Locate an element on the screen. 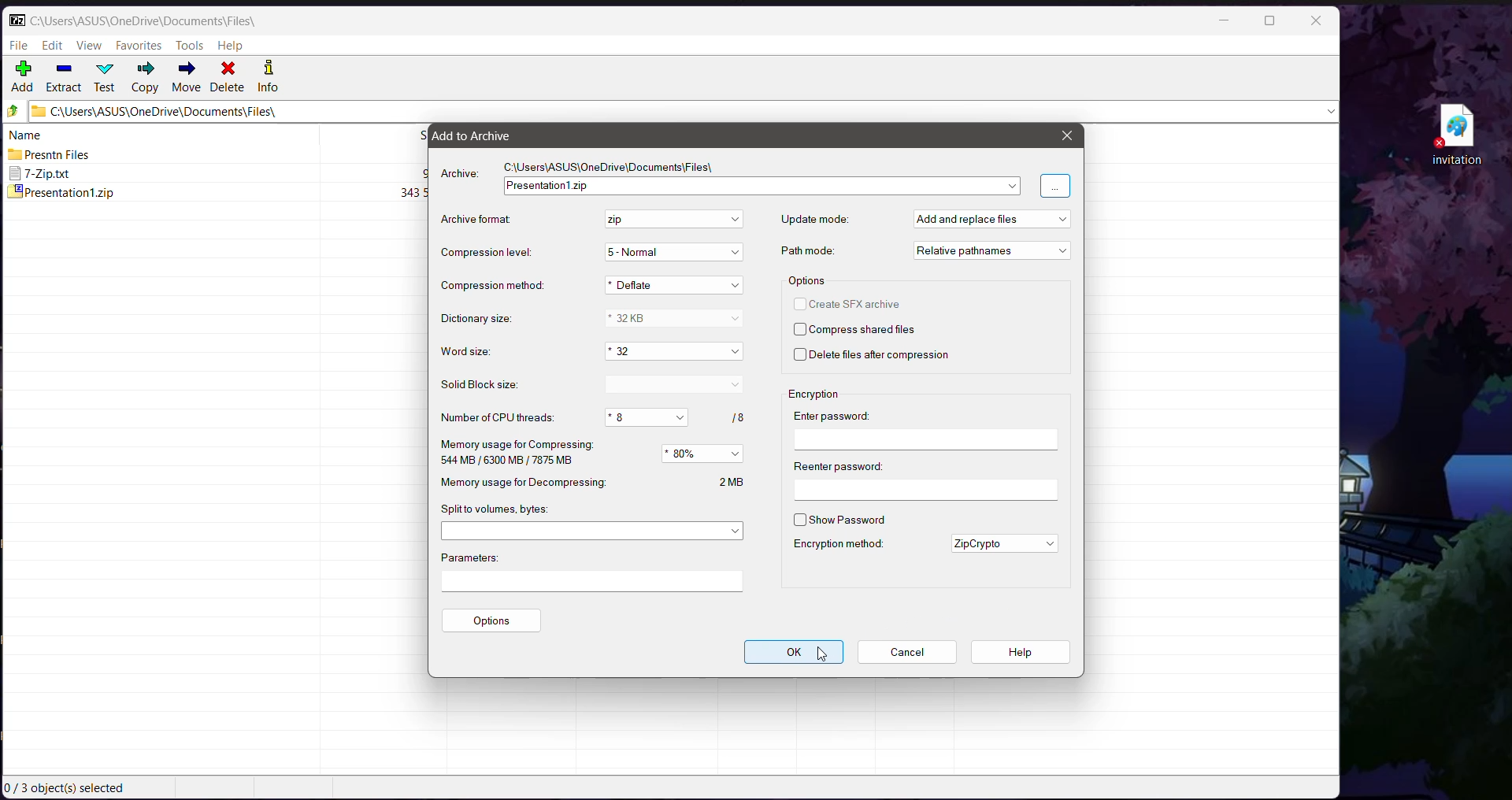  Extract is located at coordinates (64, 78).